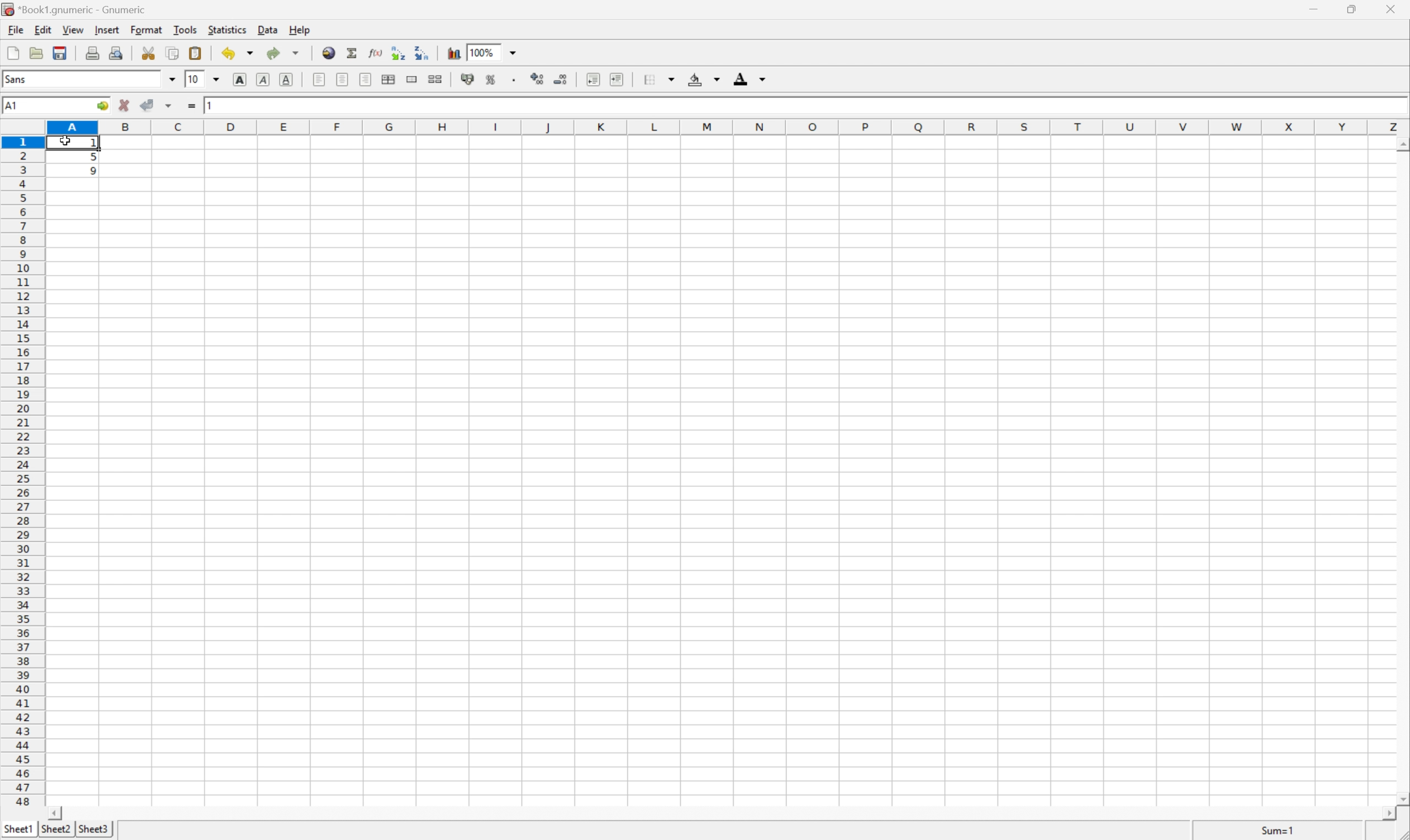  I want to click on close, so click(1397, 9).